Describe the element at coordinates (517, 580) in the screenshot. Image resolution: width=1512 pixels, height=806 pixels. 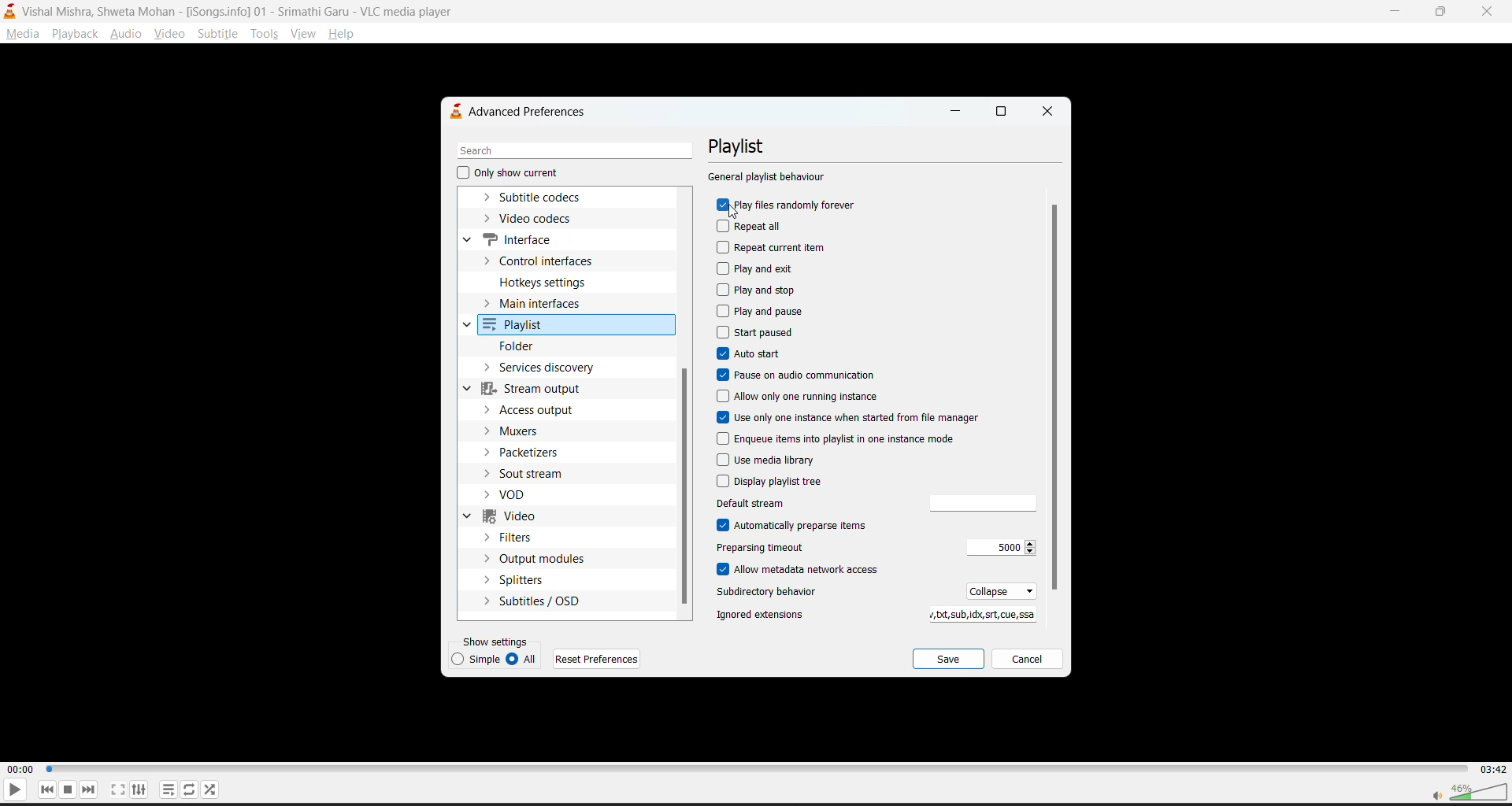
I see `splitters` at that location.